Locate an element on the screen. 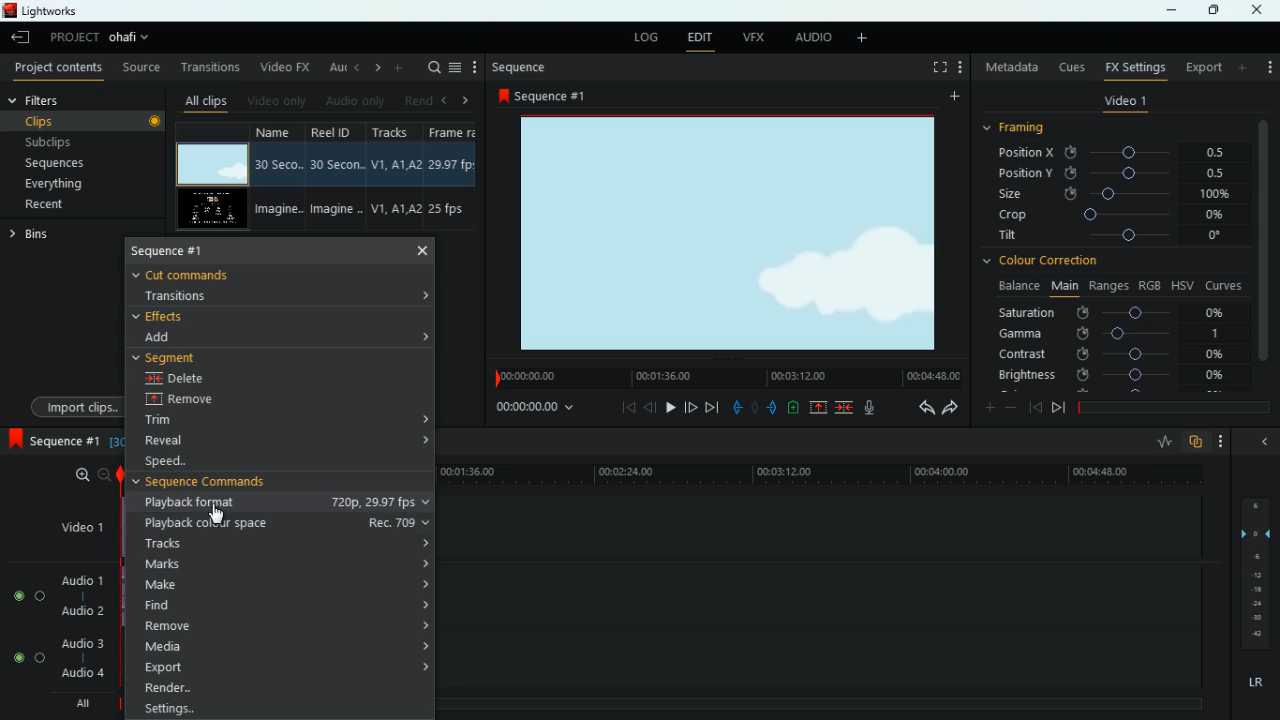  saturation is located at coordinates (1121, 314).